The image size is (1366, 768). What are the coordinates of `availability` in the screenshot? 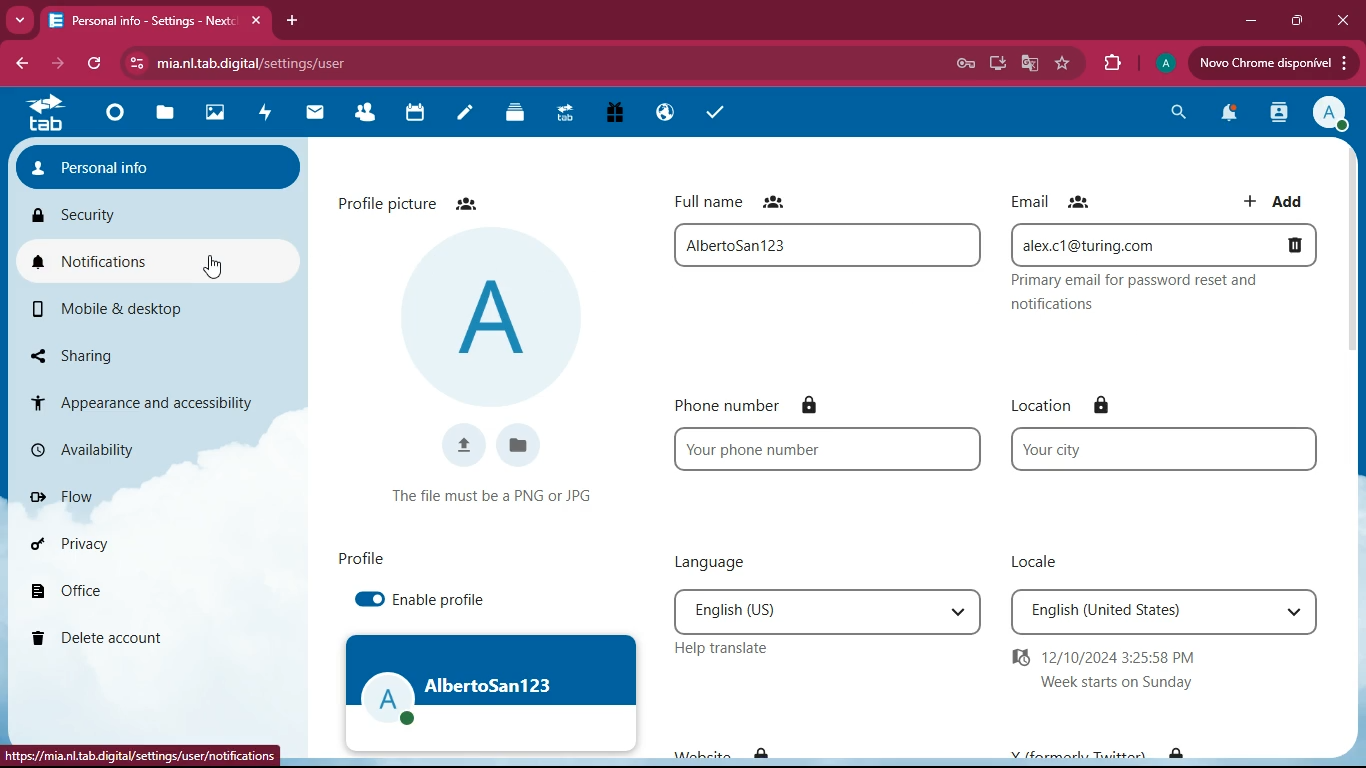 It's located at (134, 445).